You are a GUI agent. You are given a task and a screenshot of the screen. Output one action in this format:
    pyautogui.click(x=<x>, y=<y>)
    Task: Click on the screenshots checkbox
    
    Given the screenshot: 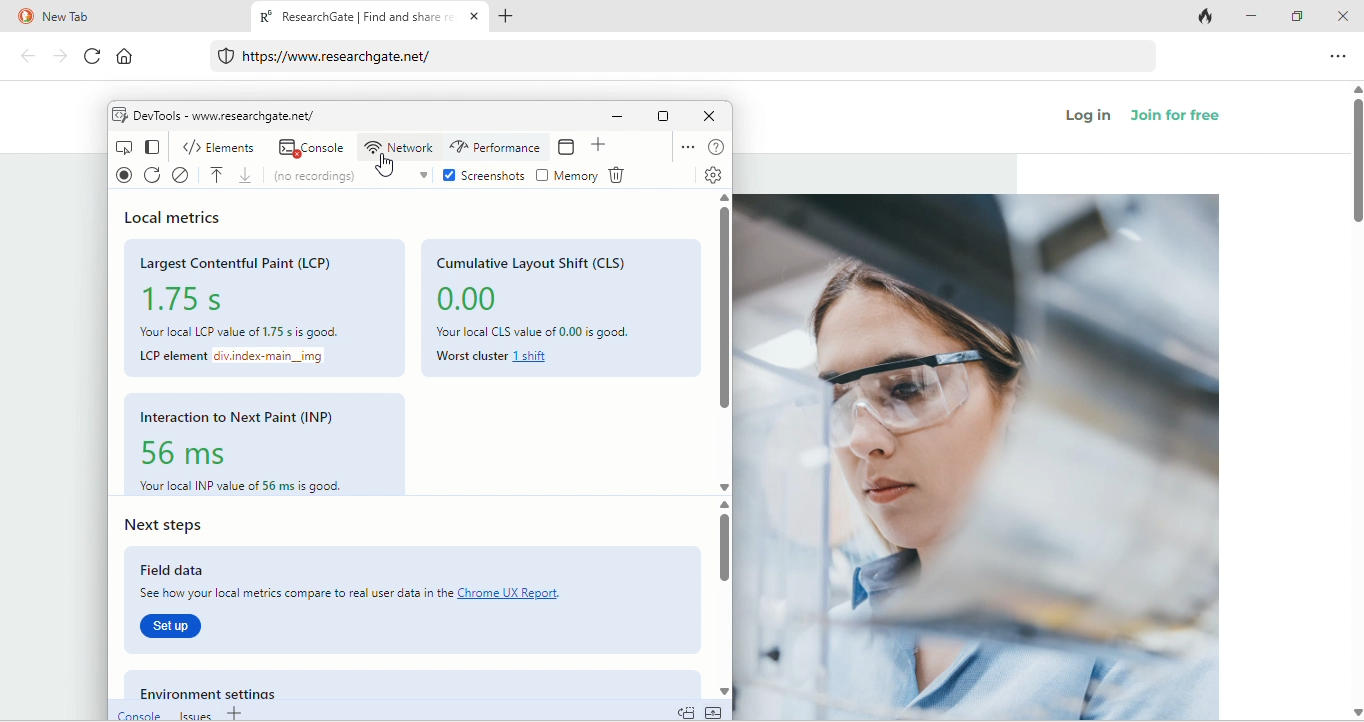 What is the action you would take?
    pyautogui.click(x=486, y=172)
    